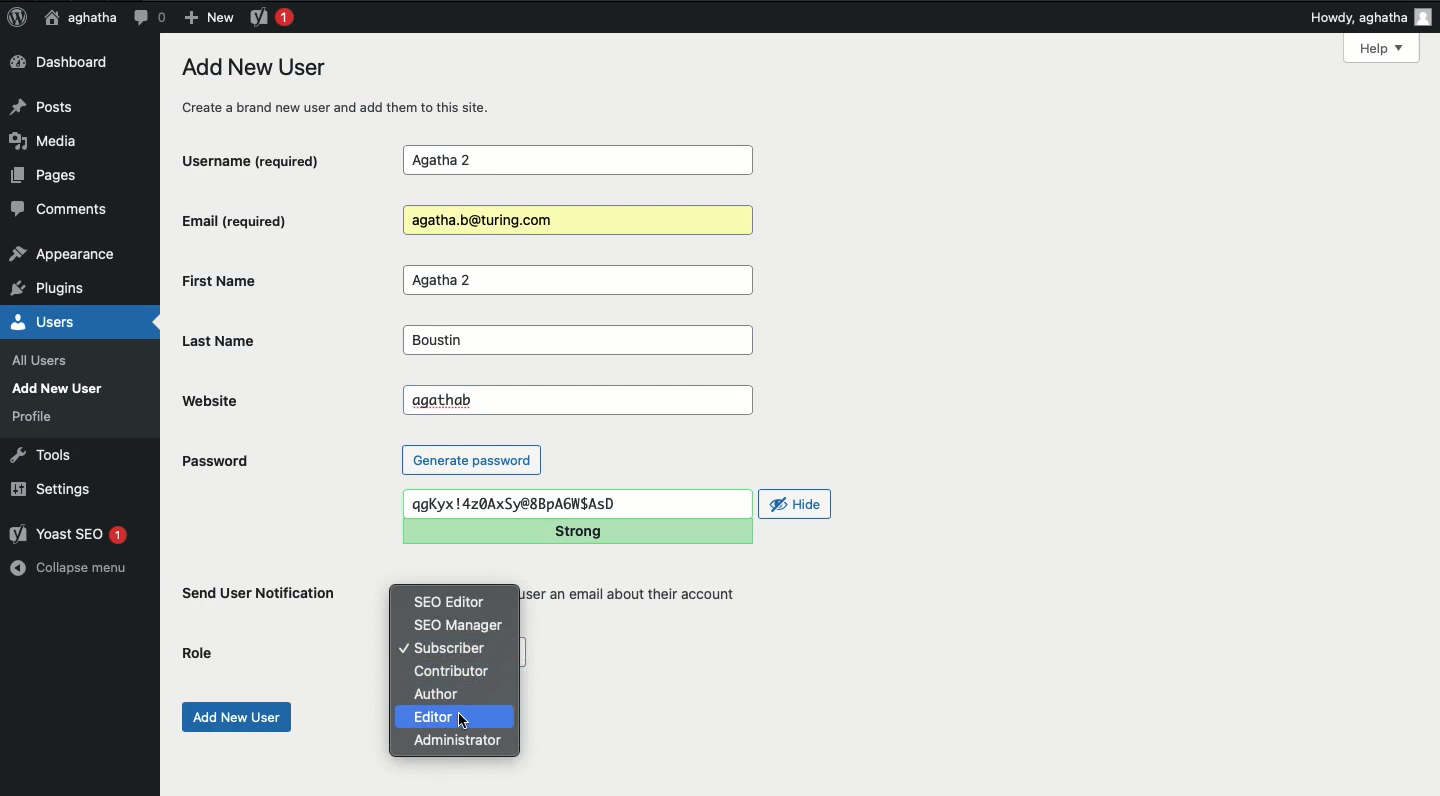 This screenshot has height=796, width=1440. Describe the element at coordinates (42, 453) in the screenshot. I see `Tools` at that location.